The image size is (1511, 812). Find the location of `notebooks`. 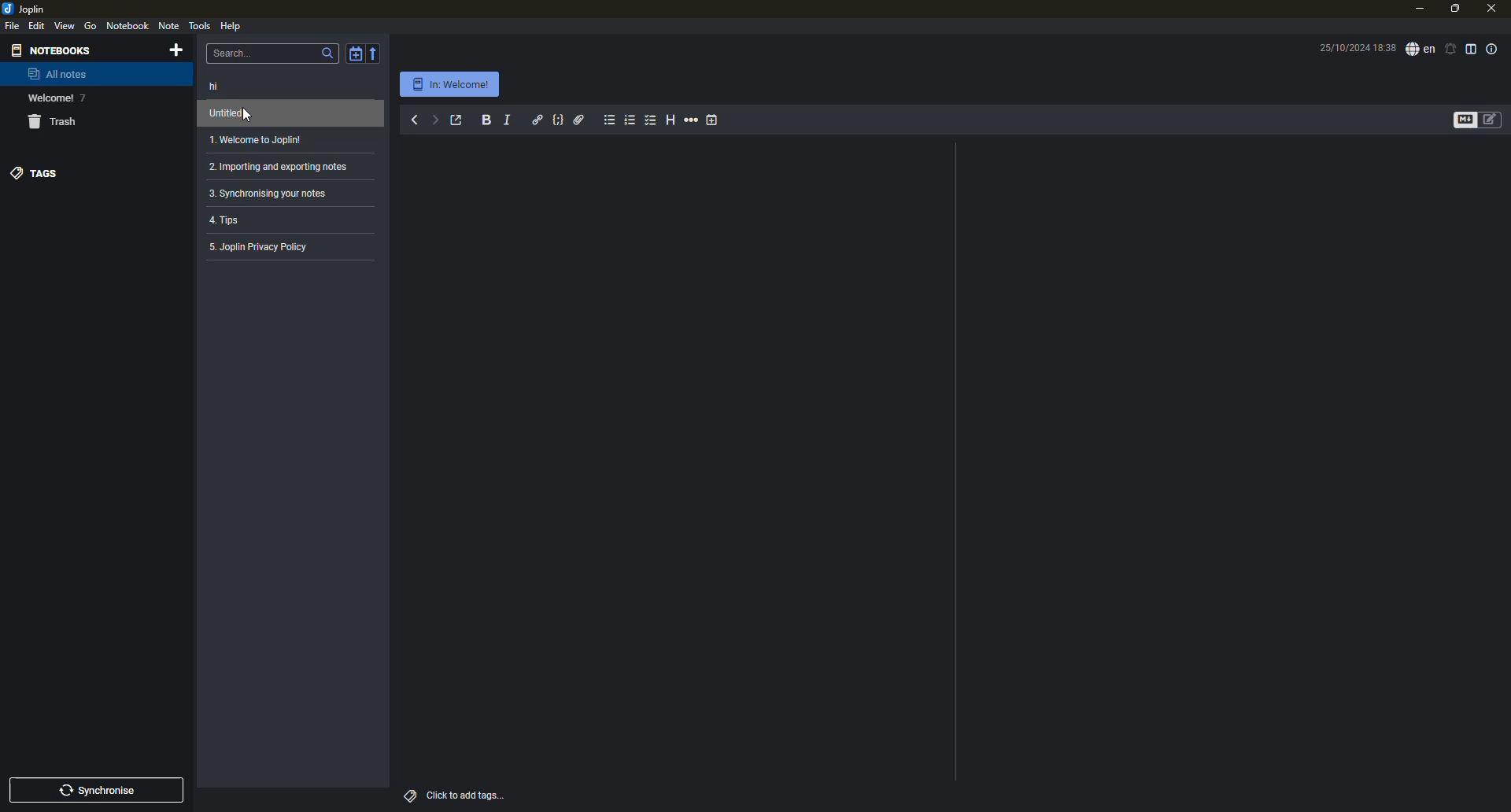

notebooks is located at coordinates (50, 50).